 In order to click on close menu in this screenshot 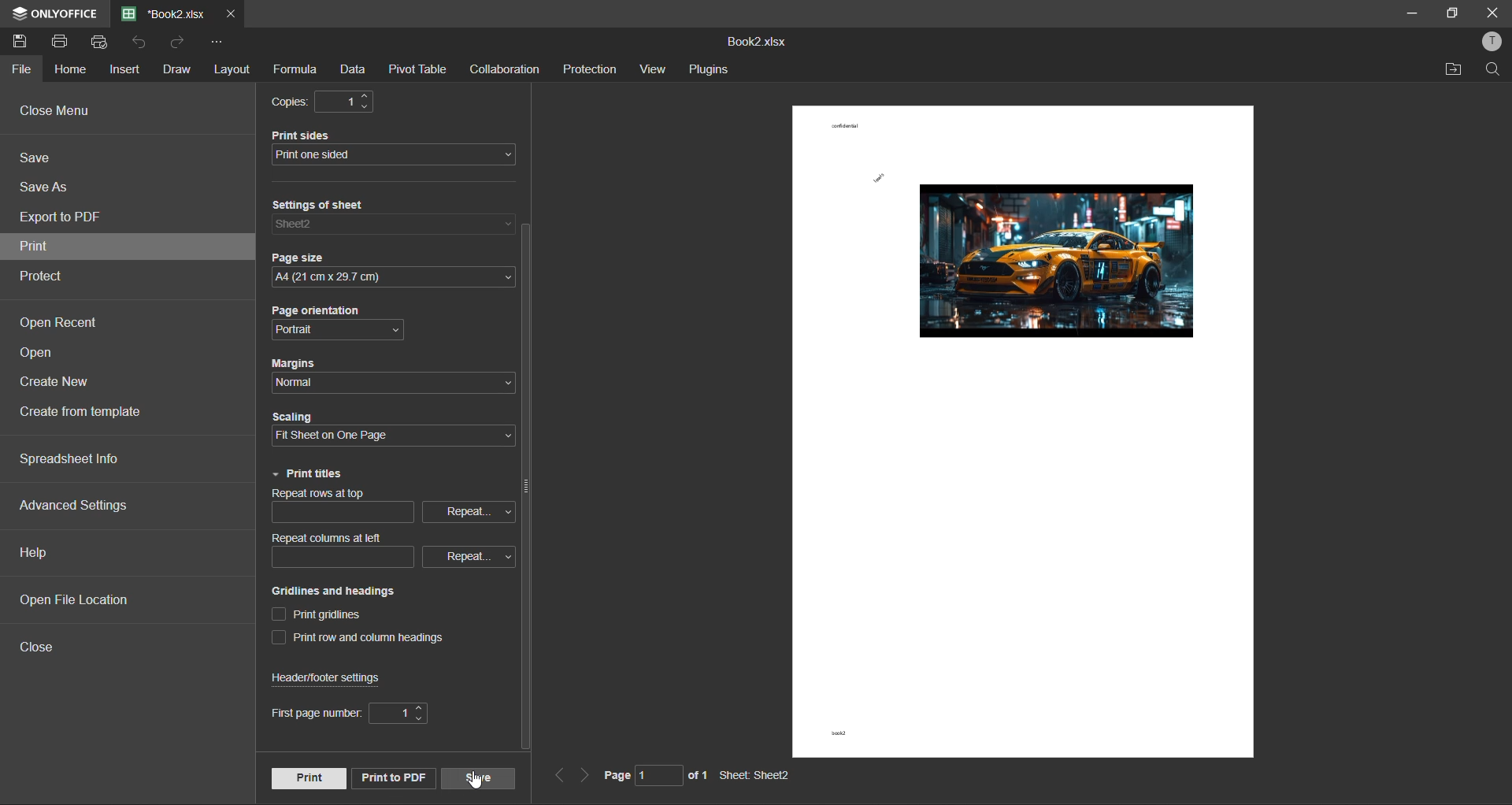, I will do `click(60, 110)`.